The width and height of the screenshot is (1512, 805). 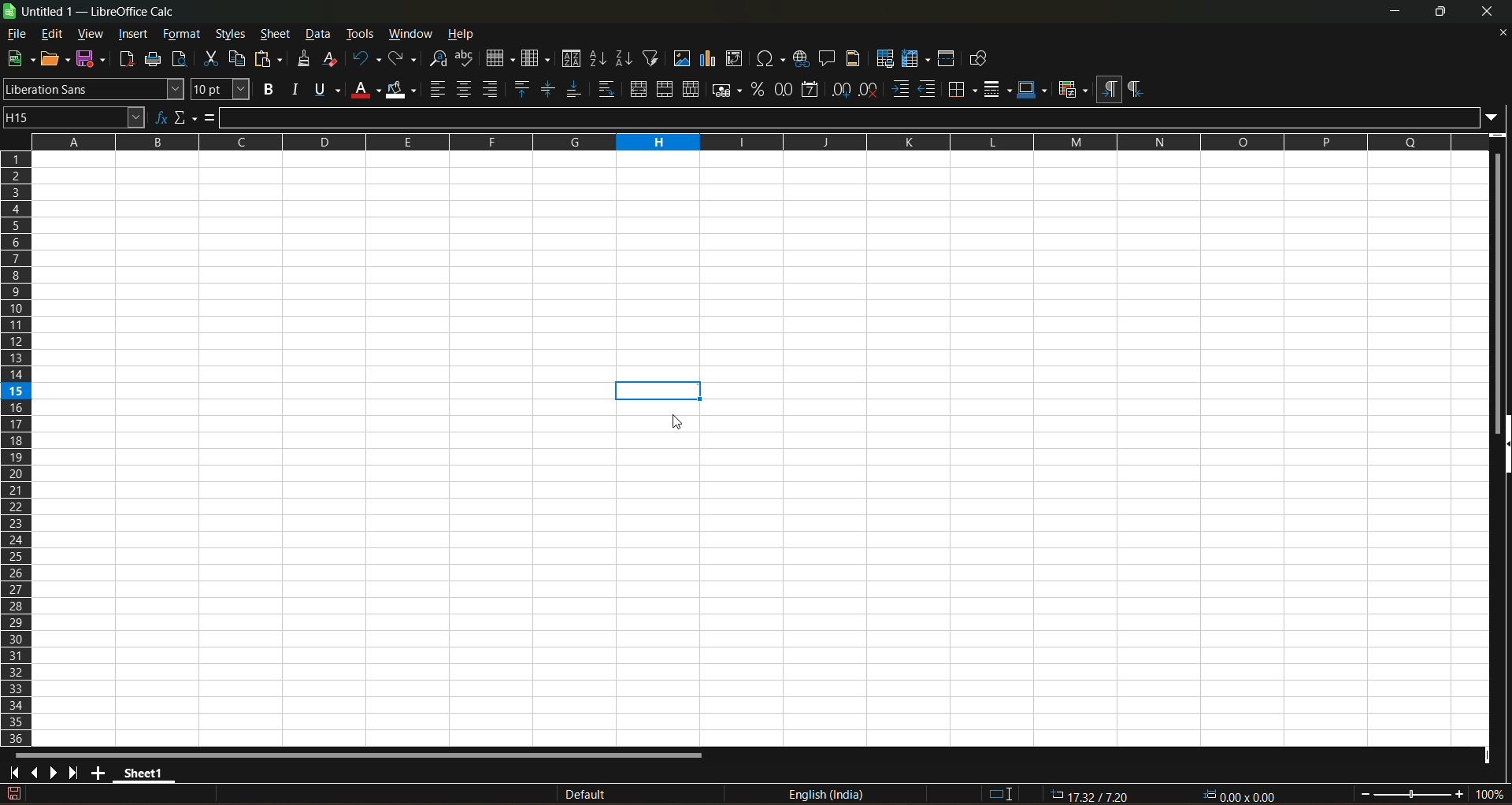 I want to click on clear direct formatting, so click(x=332, y=59).